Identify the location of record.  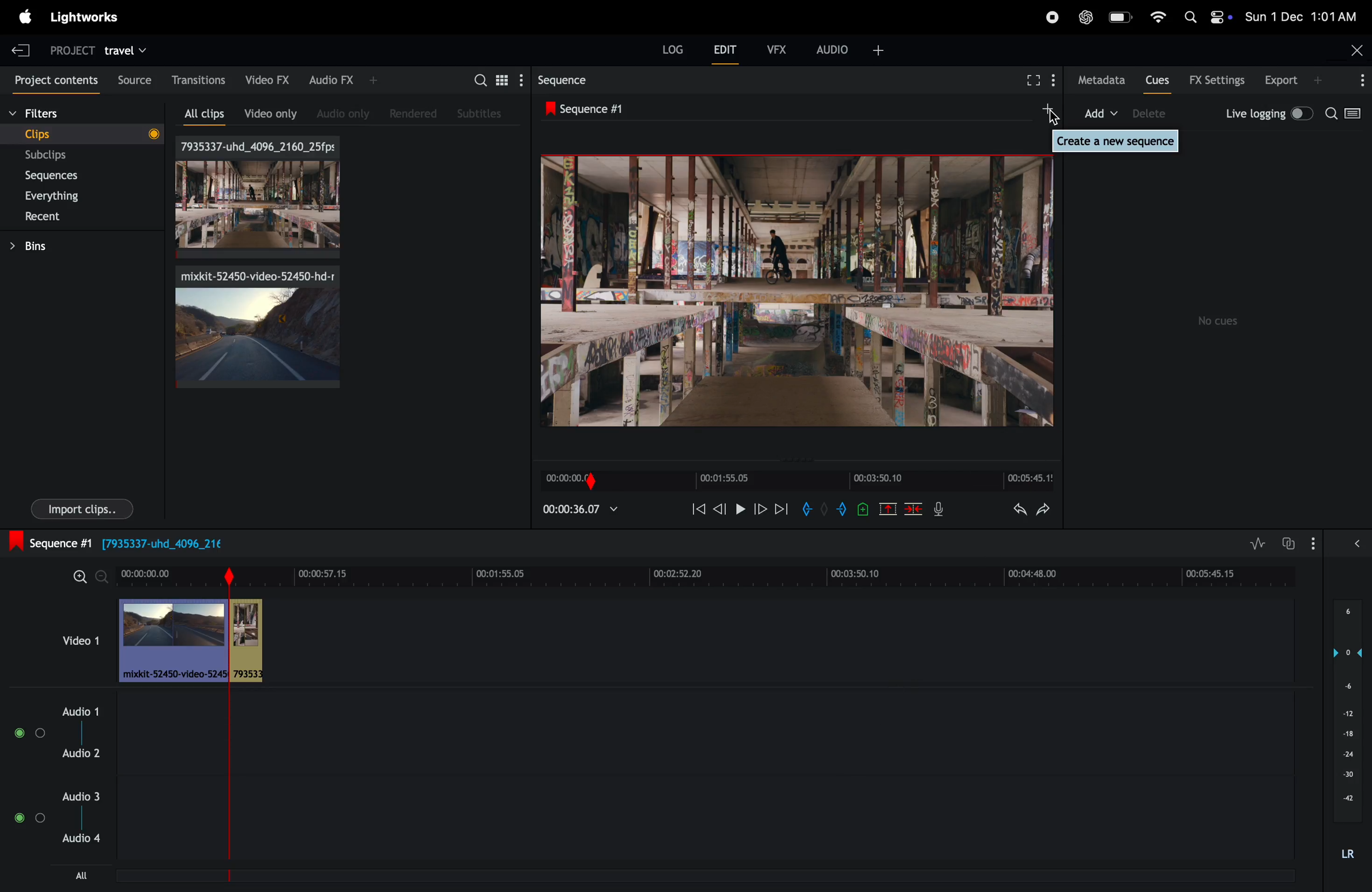
(1049, 18).